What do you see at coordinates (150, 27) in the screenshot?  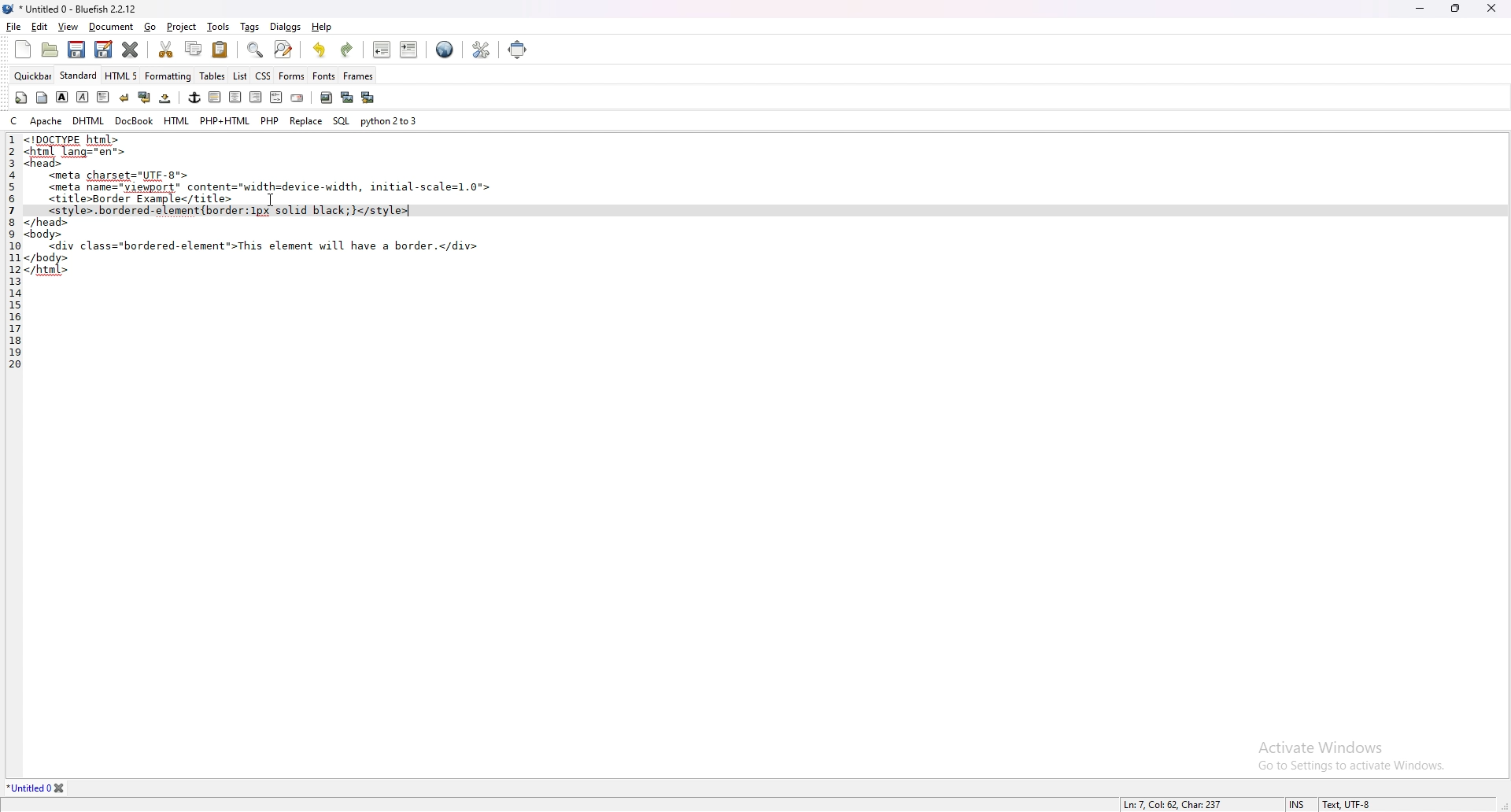 I see `go` at bounding box center [150, 27].